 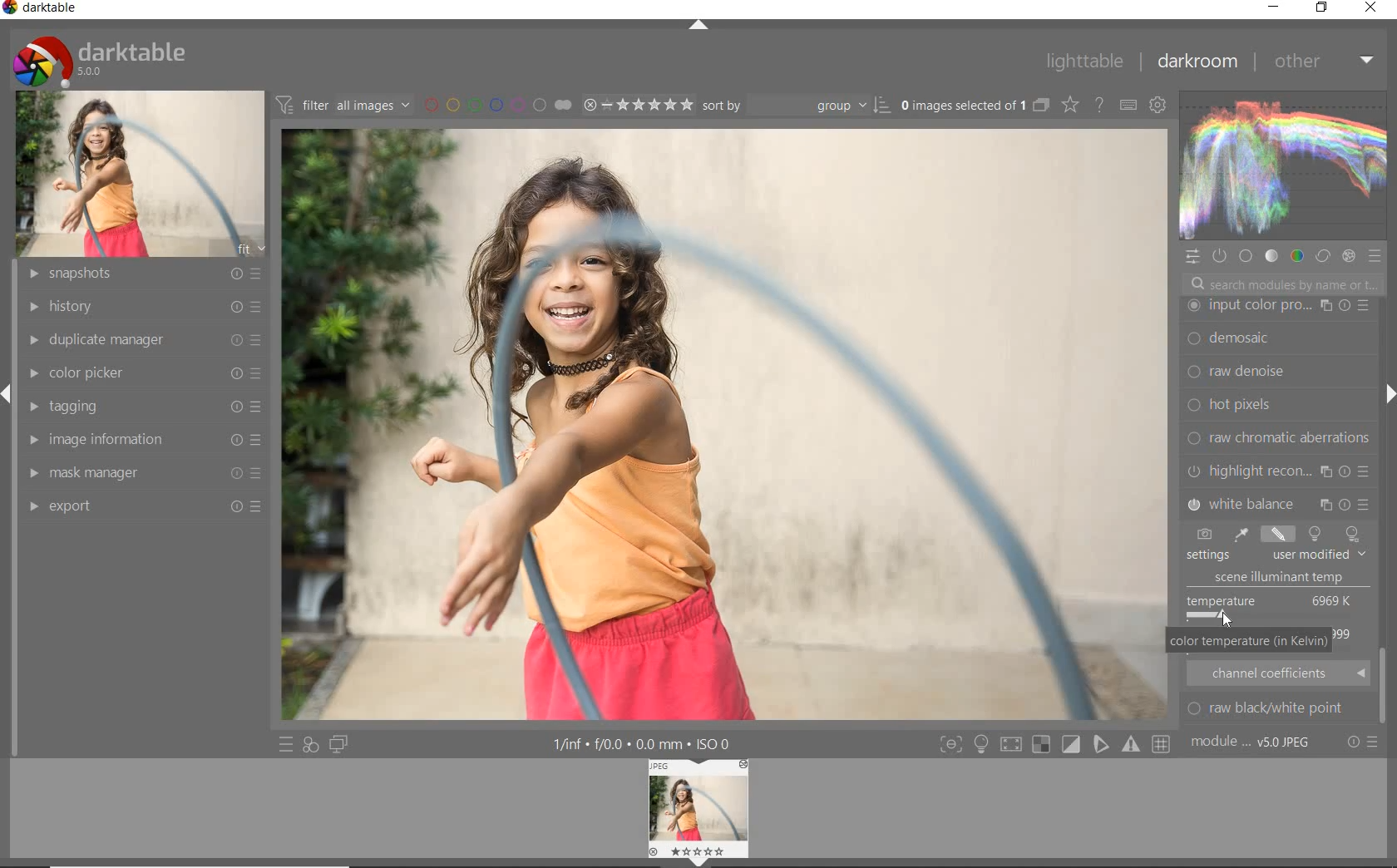 I want to click on color, so click(x=1296, y=255).